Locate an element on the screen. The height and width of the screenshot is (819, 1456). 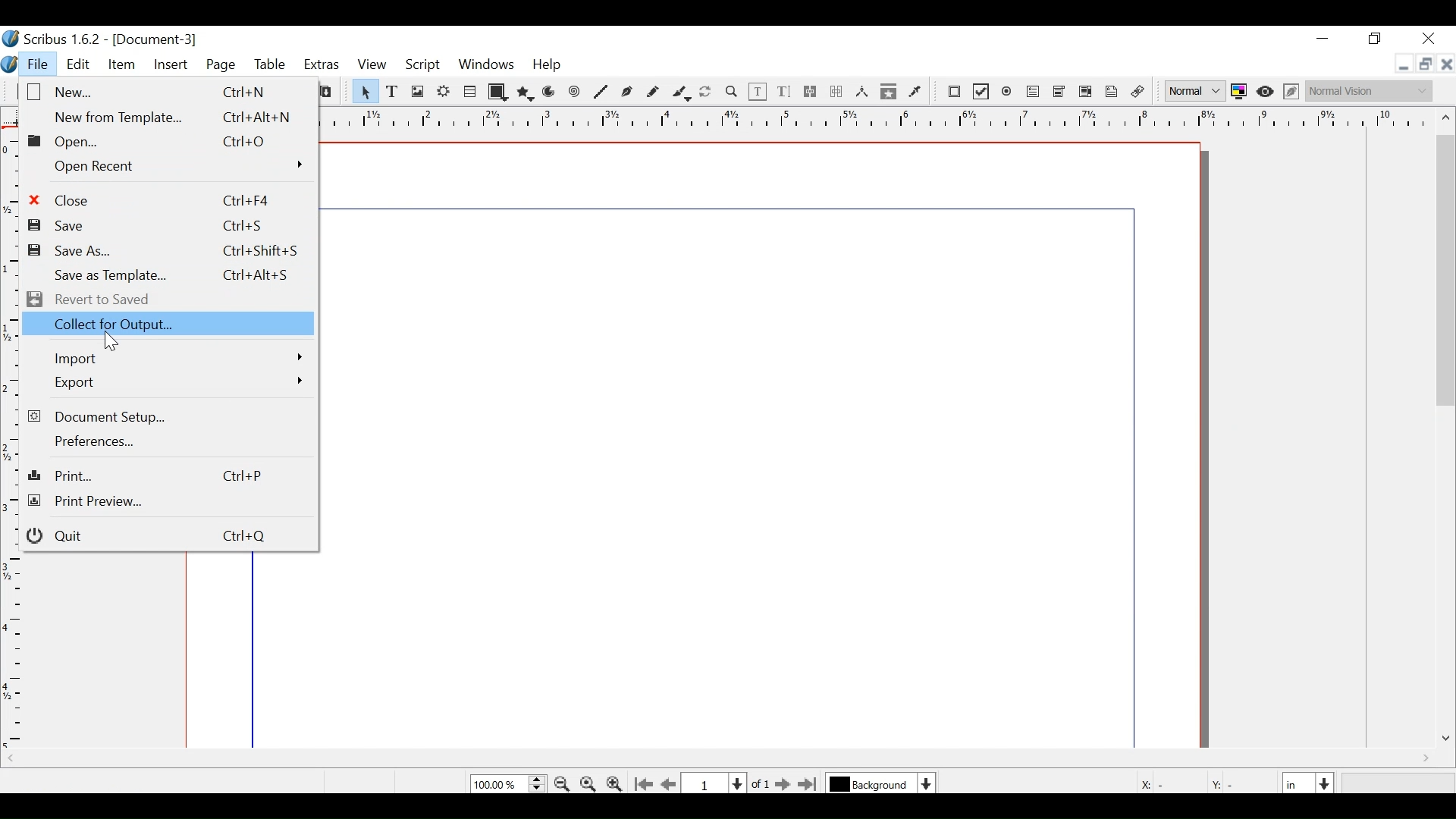
Freehand is located at coordinates (652, 93).